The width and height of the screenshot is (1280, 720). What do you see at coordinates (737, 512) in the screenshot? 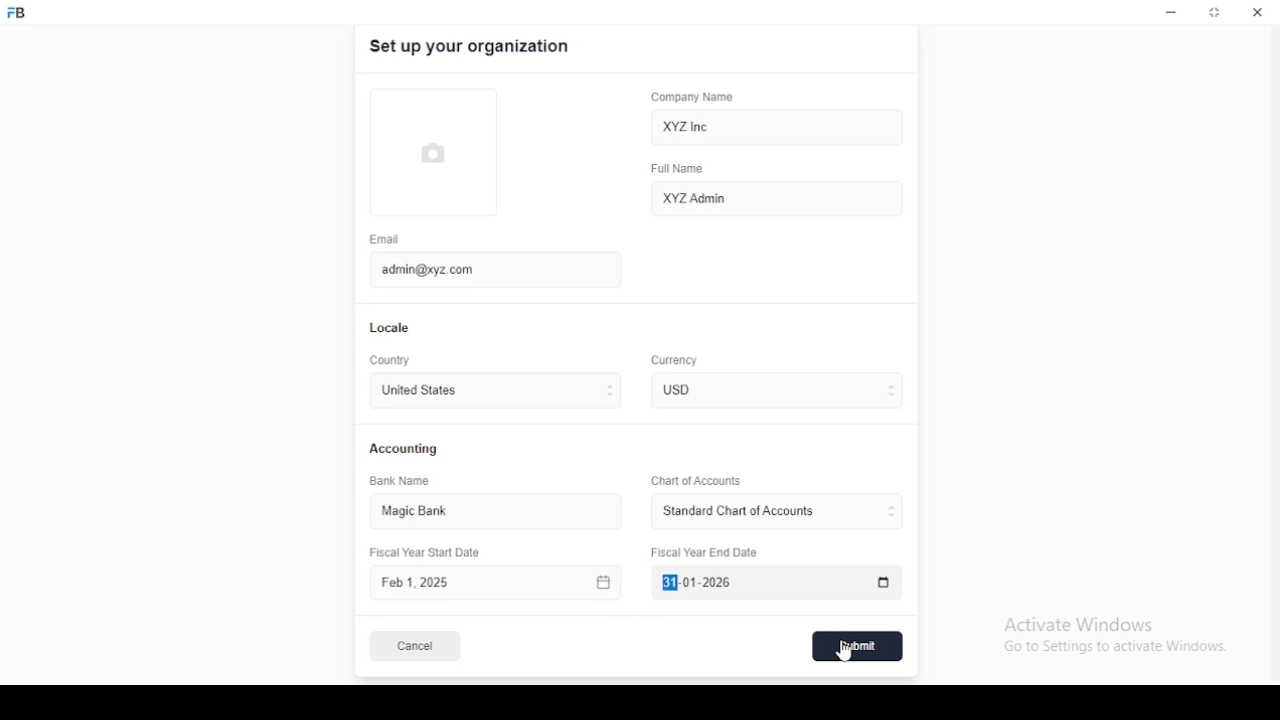
I see `L ‘Standard Chart of Accounts` at bounding box center [737, 512].